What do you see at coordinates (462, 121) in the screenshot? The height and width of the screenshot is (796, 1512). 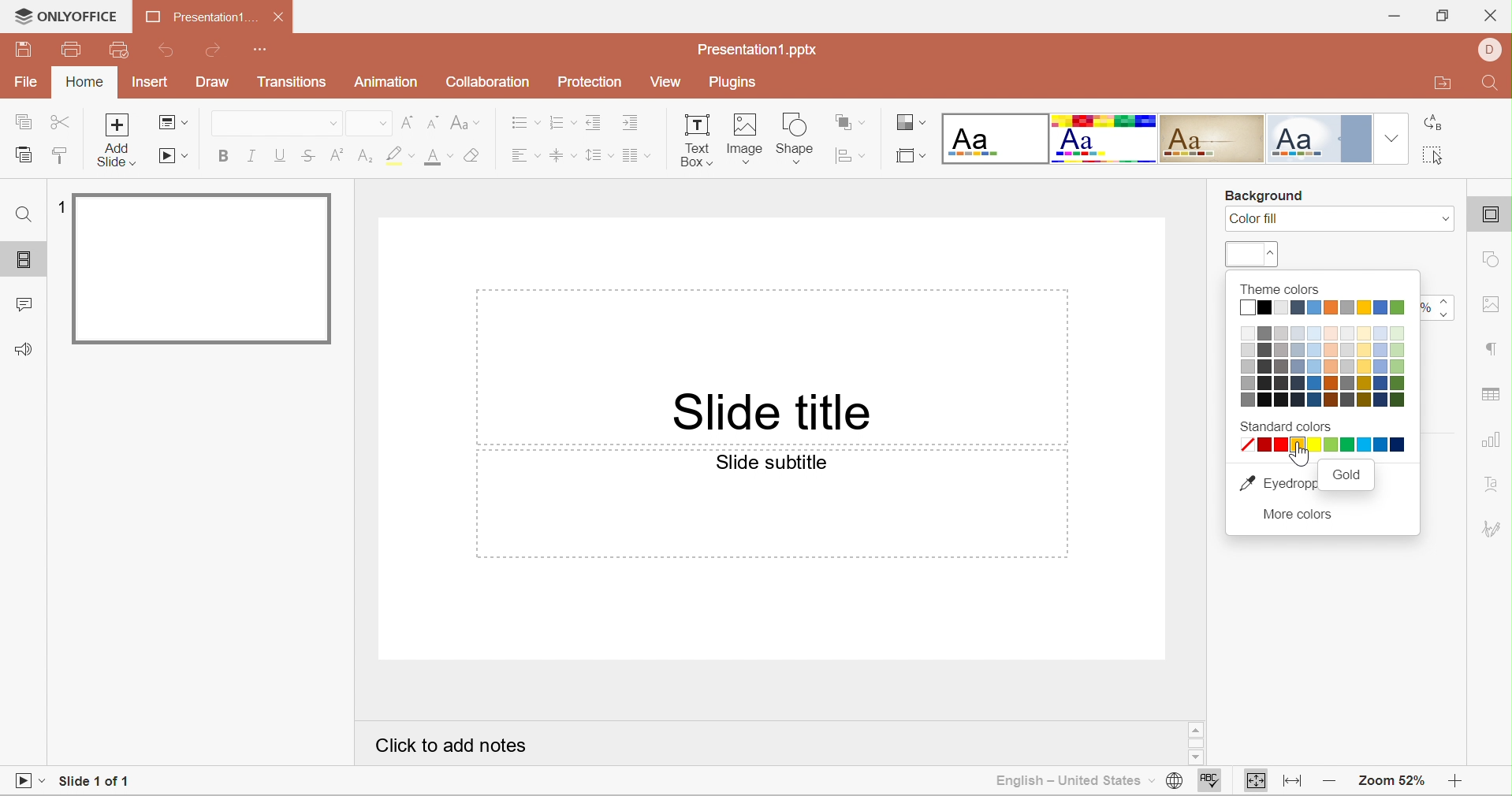 I see `Change case` at bounding box center [462, 121].